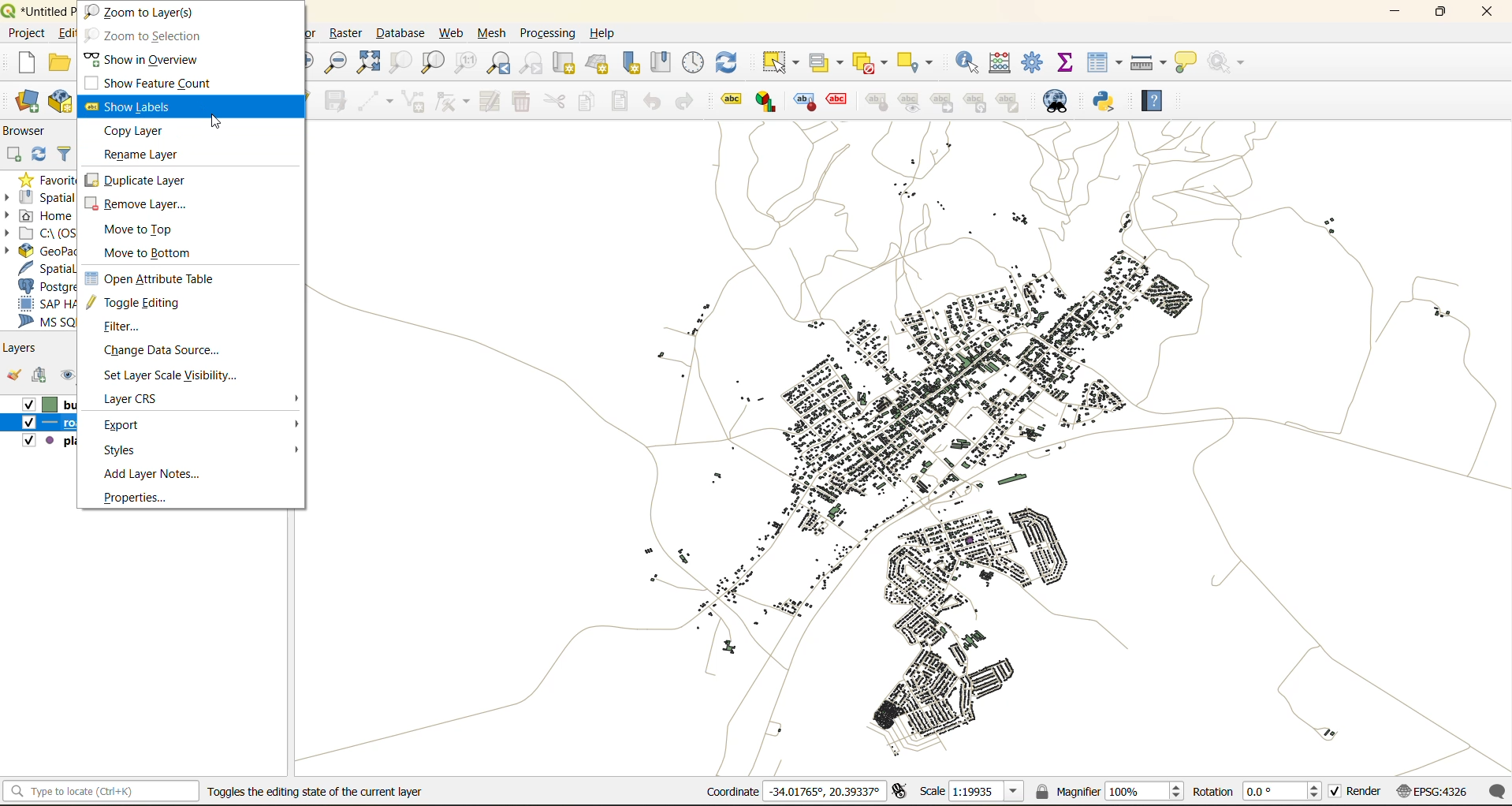 This screenshot has height=806, width=1512. Describe the element at coordinates (465, 62) in the screenshot. I see `zoom native` at that location.